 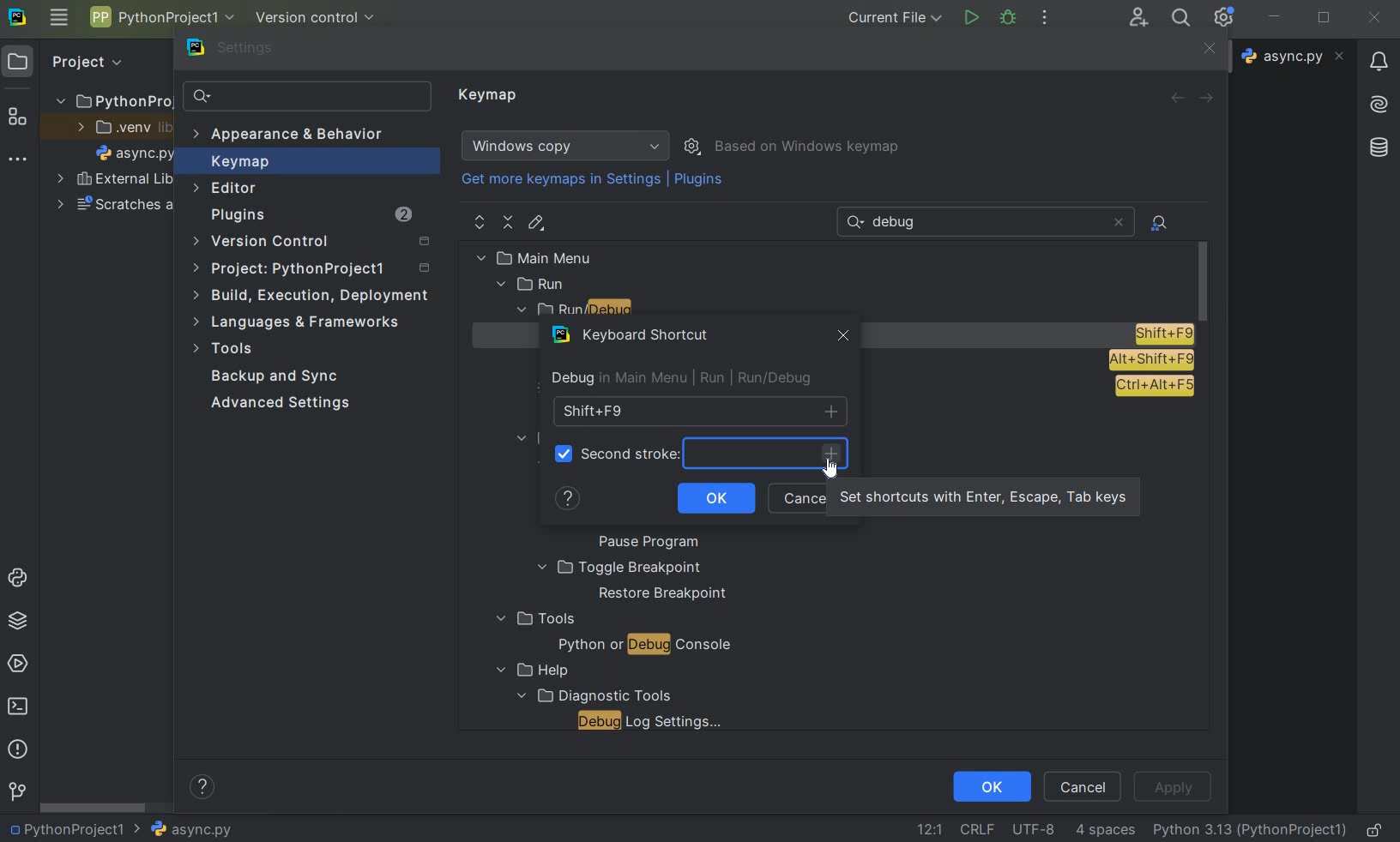 I want to click on appearance & behavior, so click(x=298, y=136).